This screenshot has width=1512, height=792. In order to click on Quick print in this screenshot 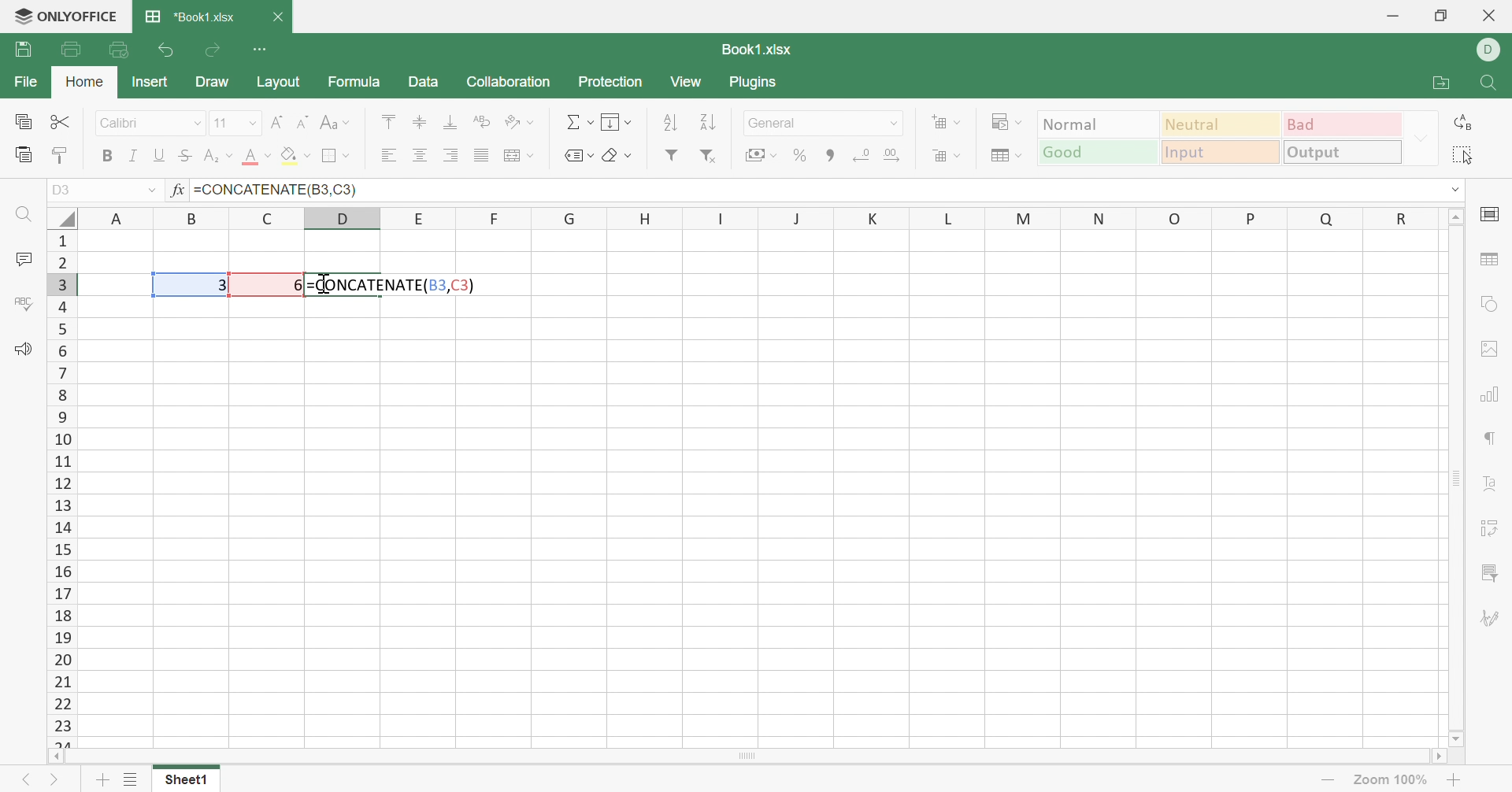, I will do `click(120, 46)`.